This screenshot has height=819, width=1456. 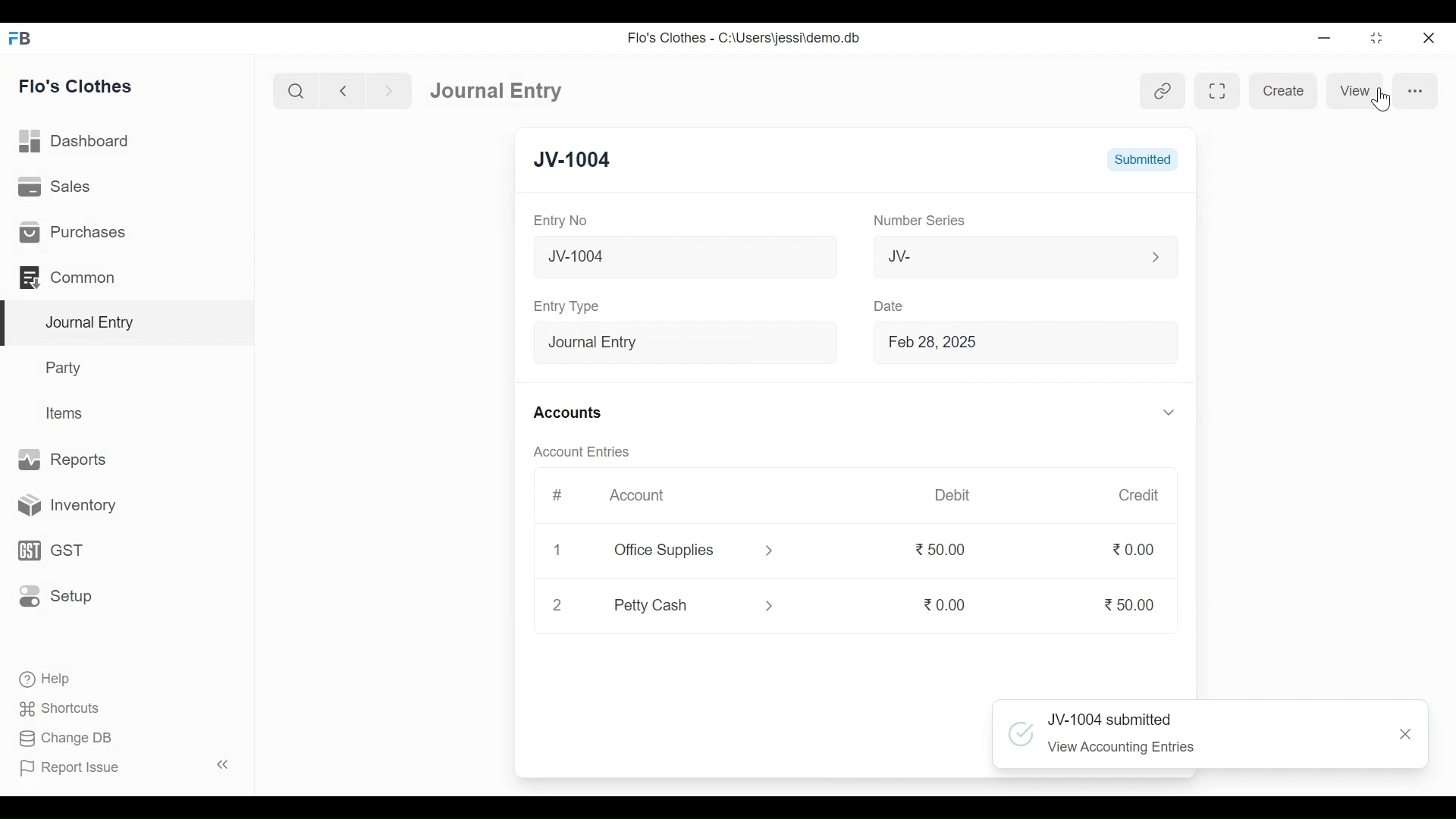 What do you see at coordinates (939, 549) in the screenshot?
I see `50.00` at bounding box center [939, 549].